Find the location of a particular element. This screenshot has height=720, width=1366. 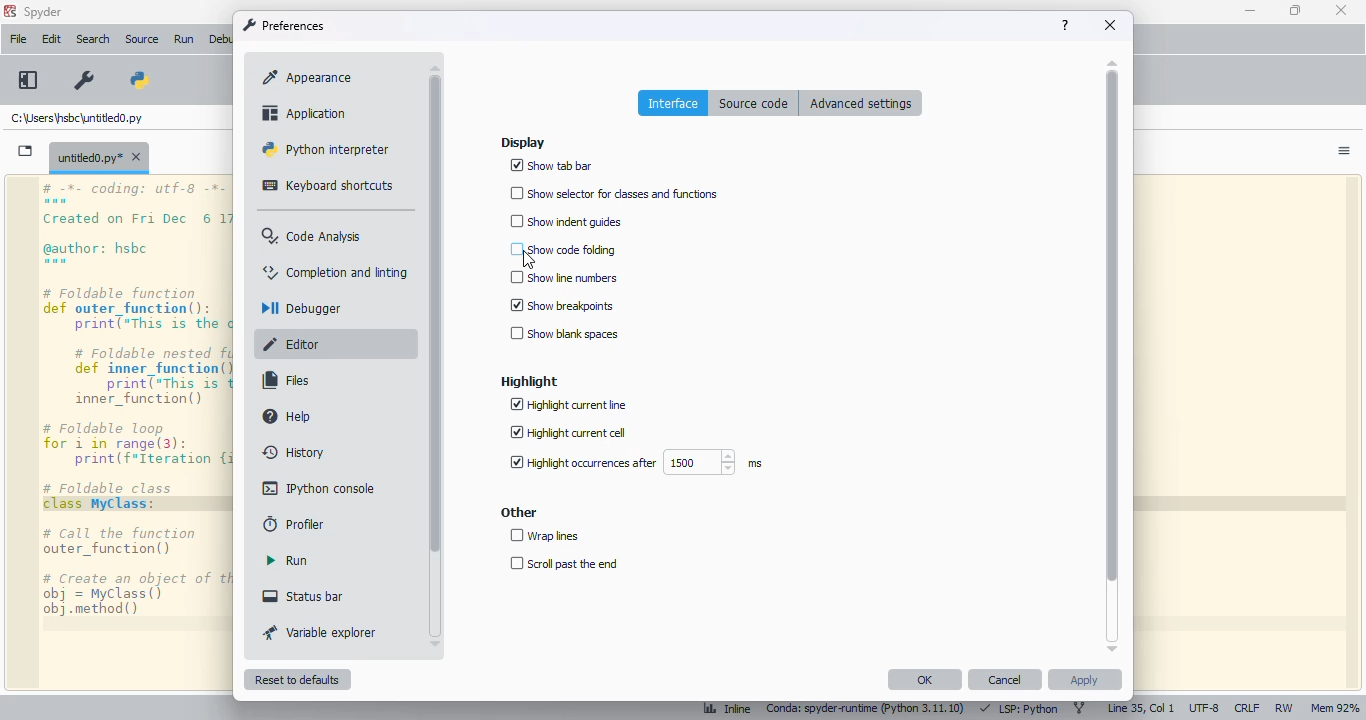

files is located at coordinates (289, 380).